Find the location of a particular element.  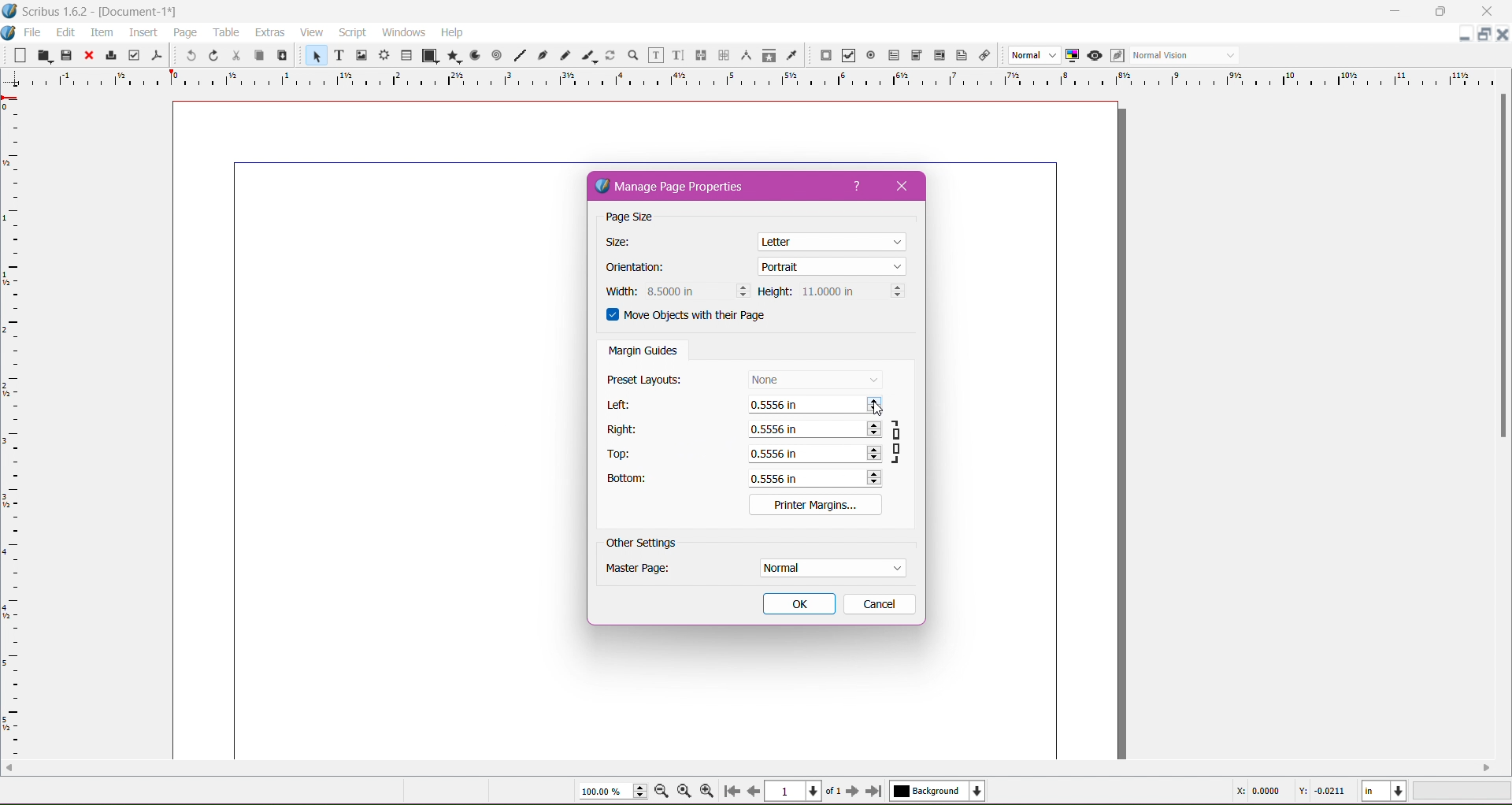

Zoom Level is located at coordinates (1463, 791).